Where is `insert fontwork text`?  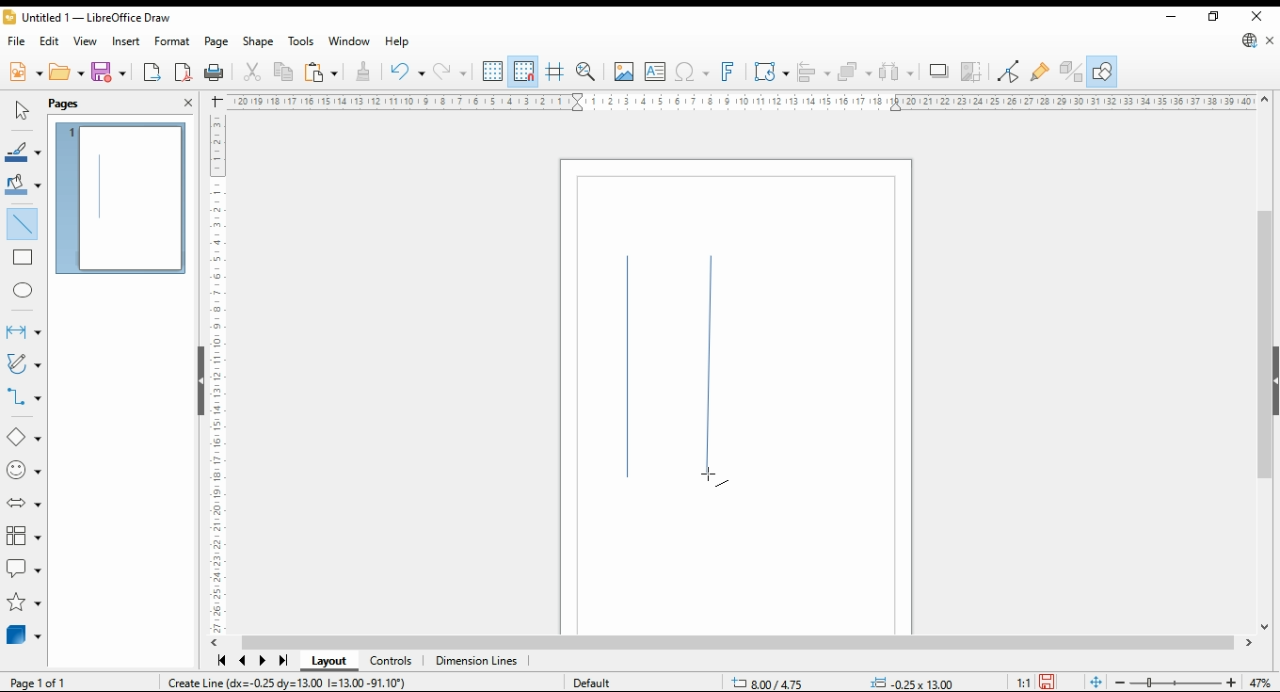
insert fontwork text is located at coordinates (728, 72).